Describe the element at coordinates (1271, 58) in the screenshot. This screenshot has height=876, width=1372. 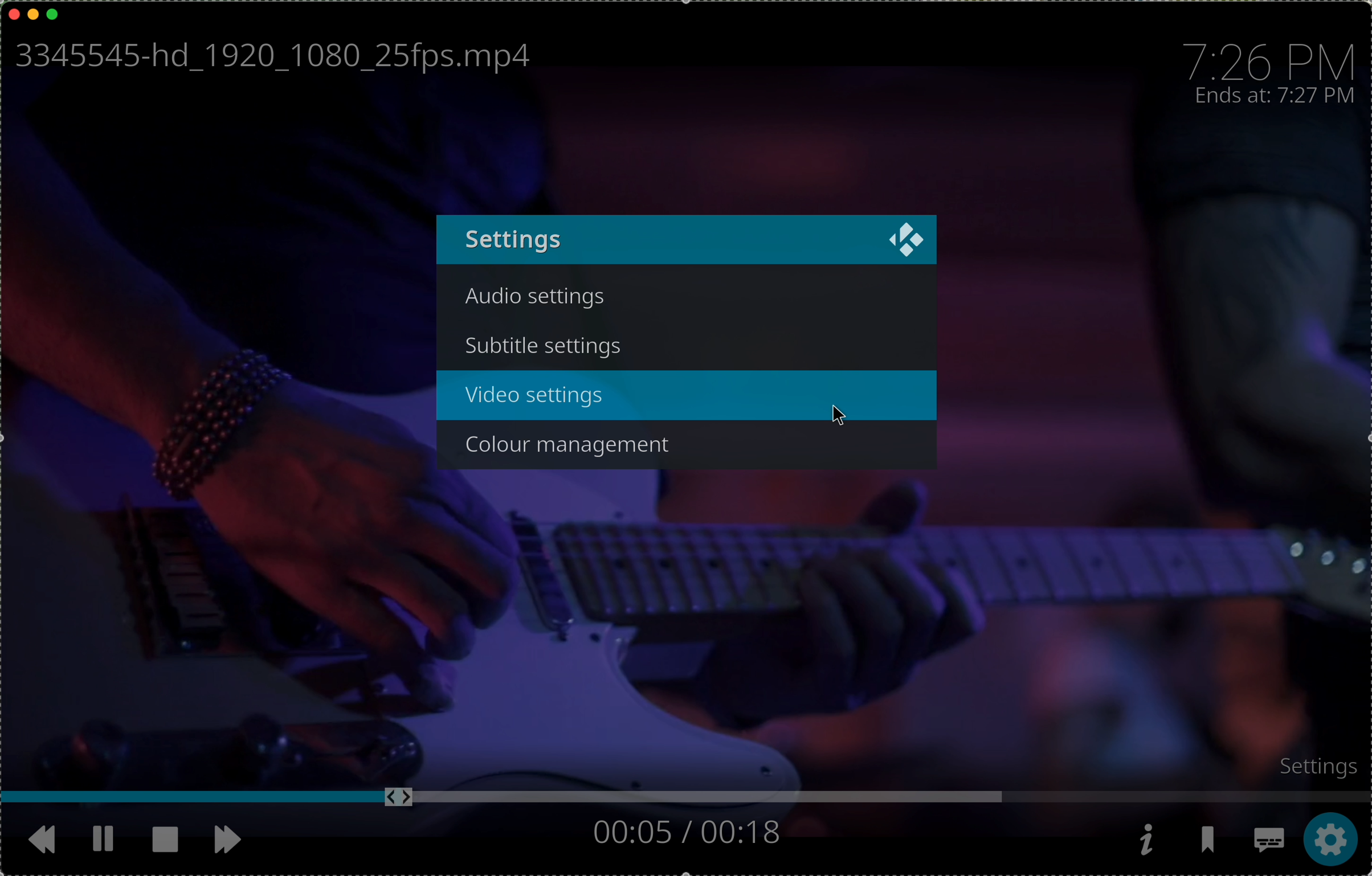
I see `time` at that location.